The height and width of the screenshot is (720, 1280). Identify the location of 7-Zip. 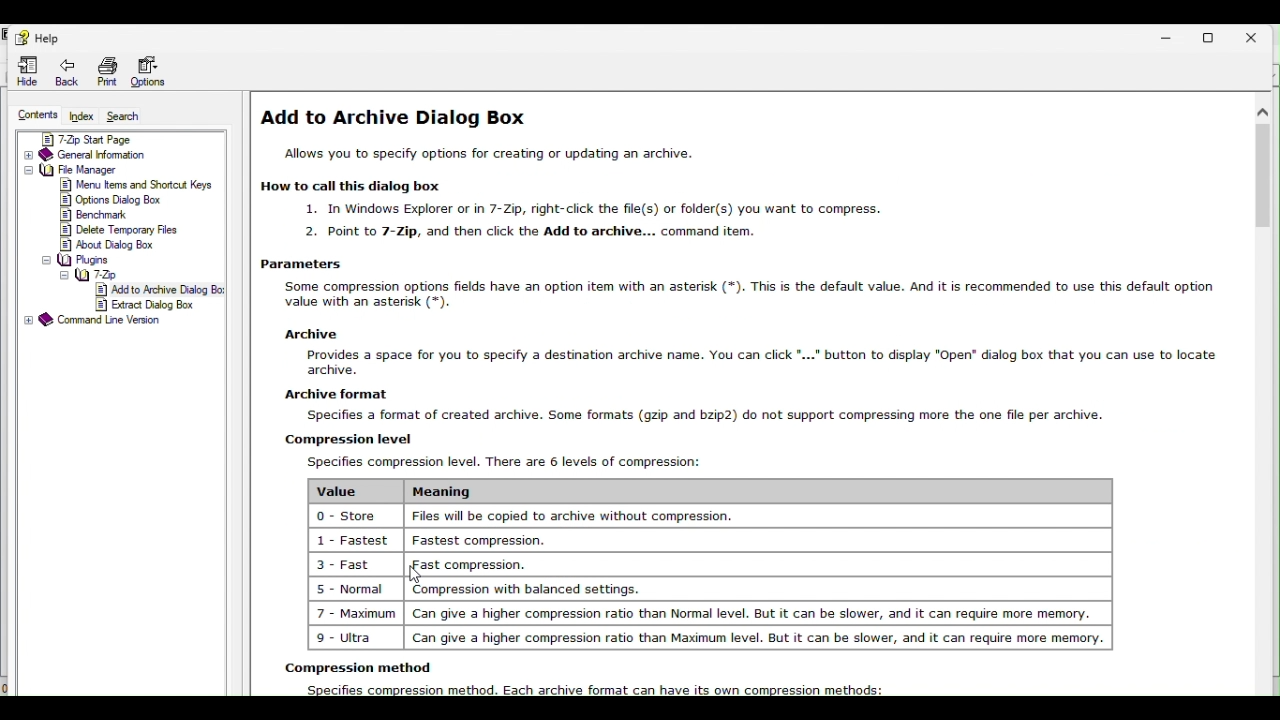
(91, 275).